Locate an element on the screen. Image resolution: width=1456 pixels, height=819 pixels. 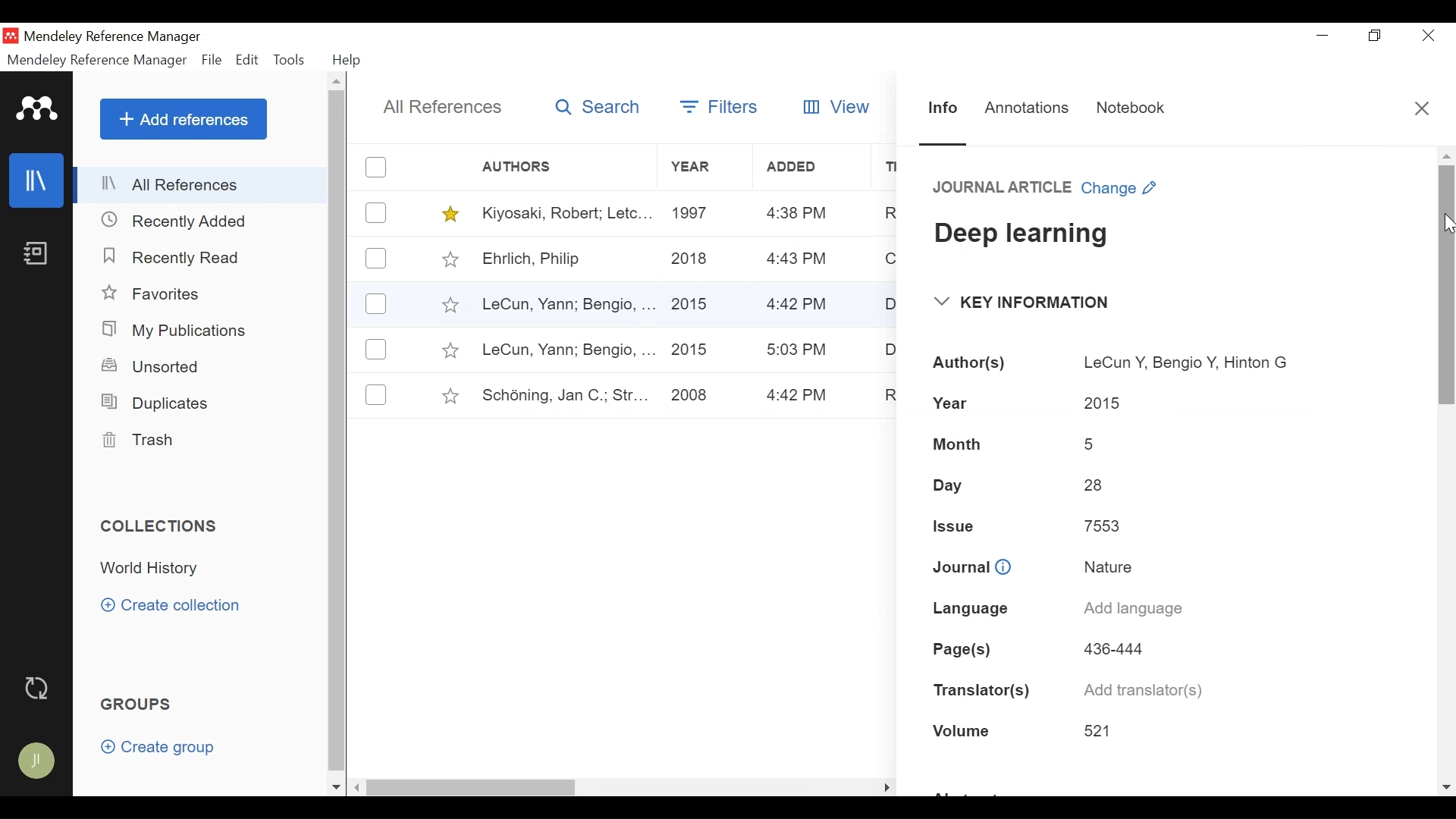
Scroll down is located at coordinates (336, 787).